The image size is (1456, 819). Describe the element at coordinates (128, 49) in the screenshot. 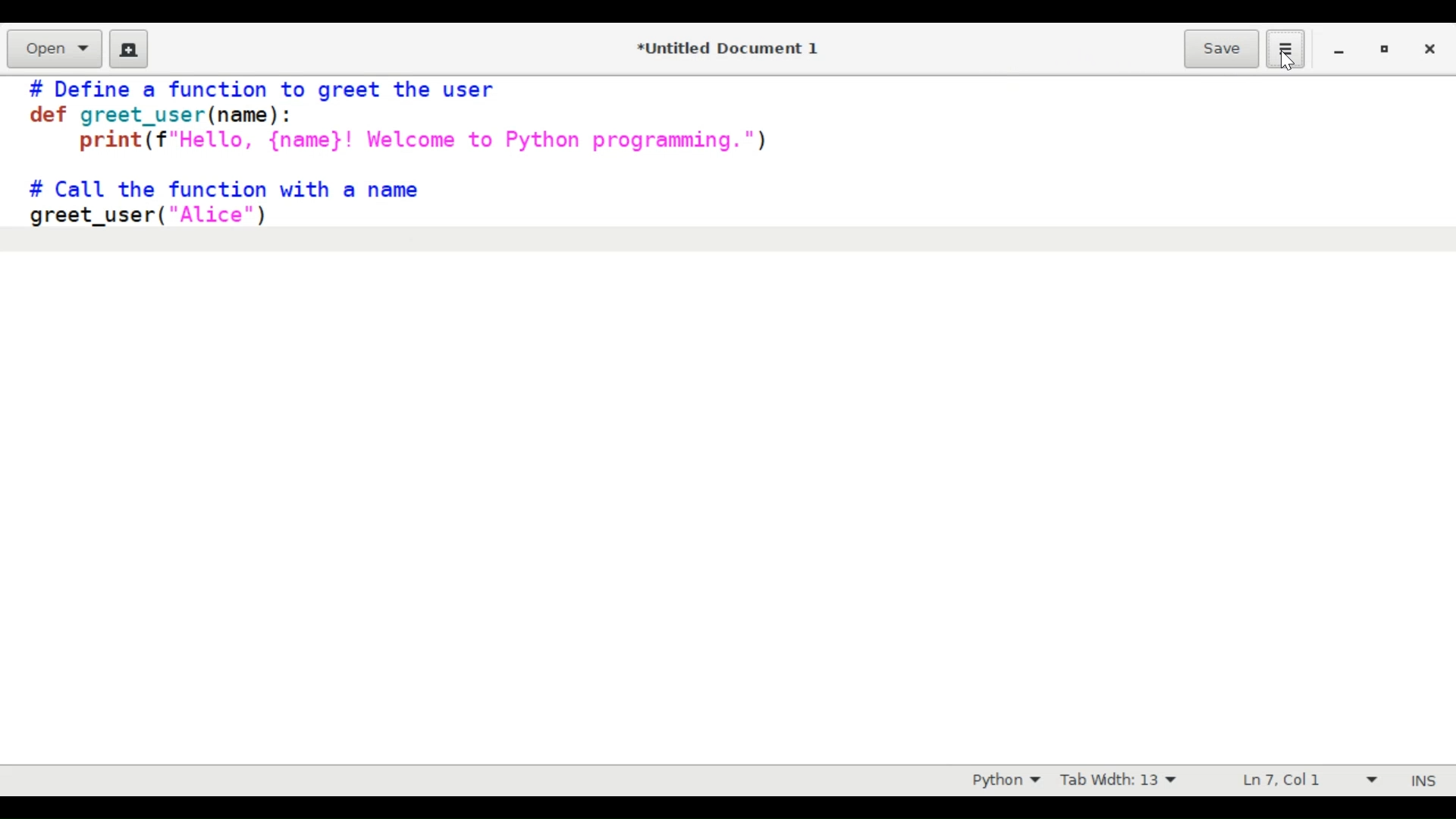

I see `Create new document` at that location.